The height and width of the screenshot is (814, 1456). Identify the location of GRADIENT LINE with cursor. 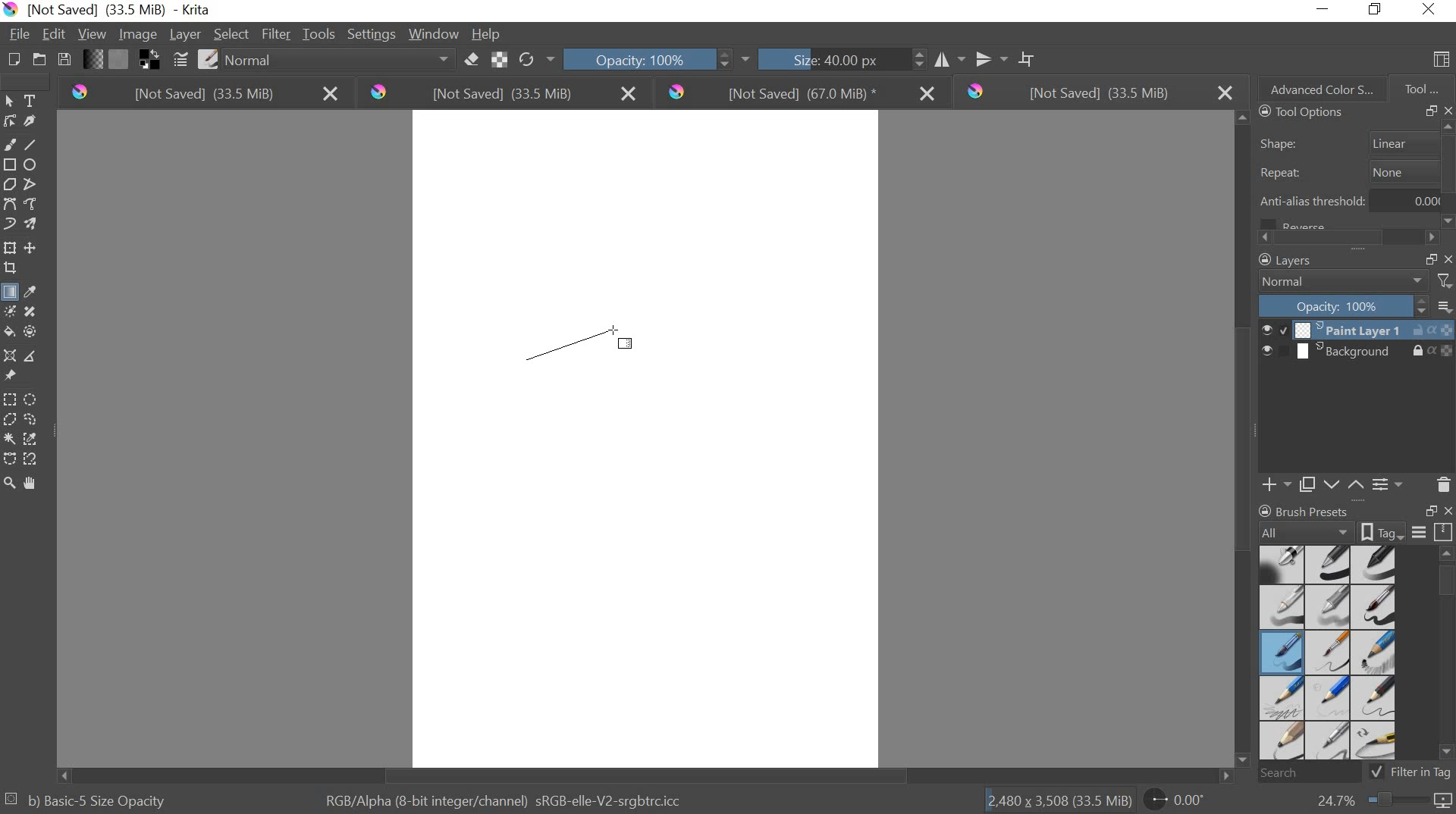
(581, 343).